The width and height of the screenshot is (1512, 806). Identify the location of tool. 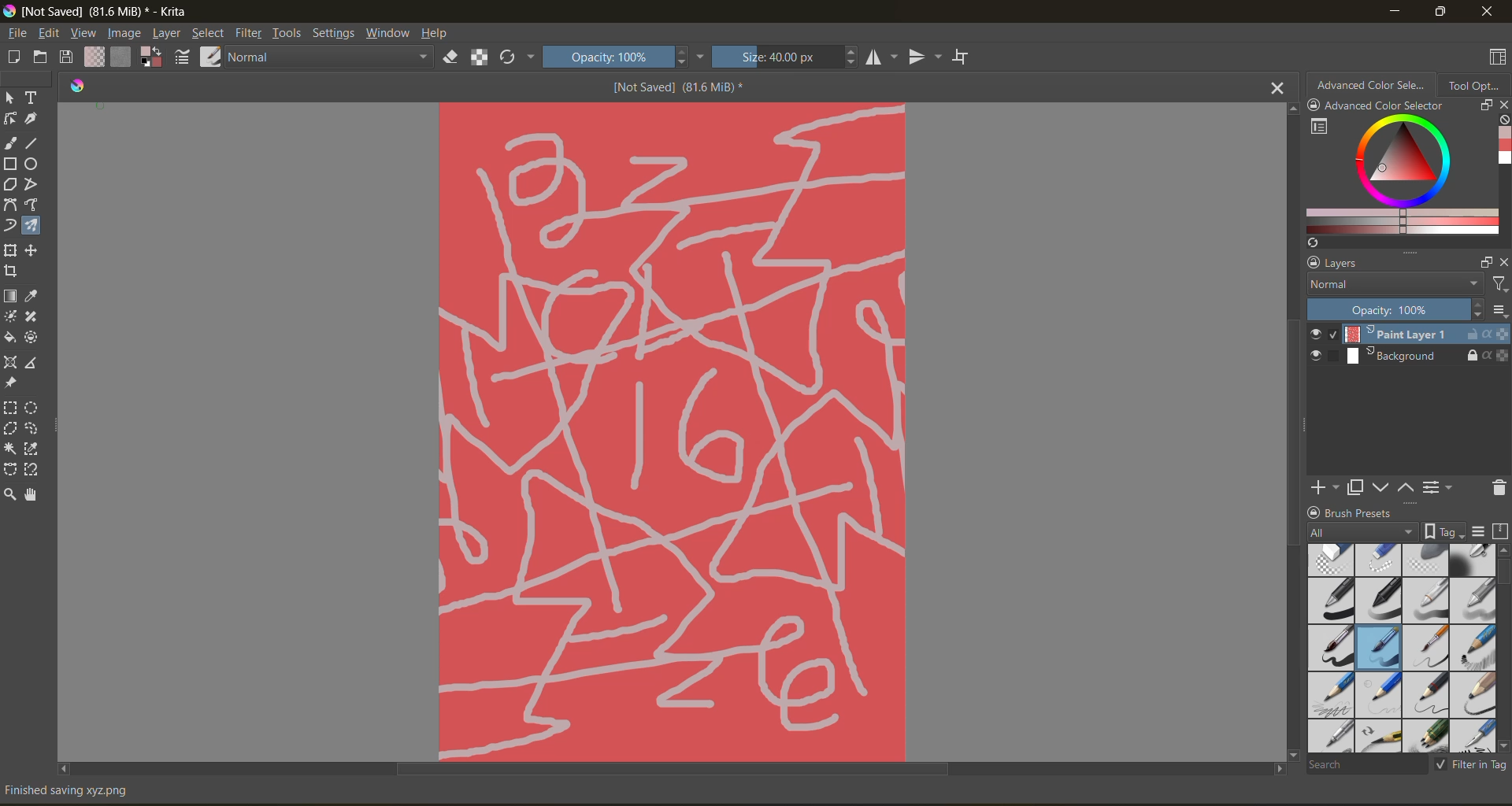
(11, 362).